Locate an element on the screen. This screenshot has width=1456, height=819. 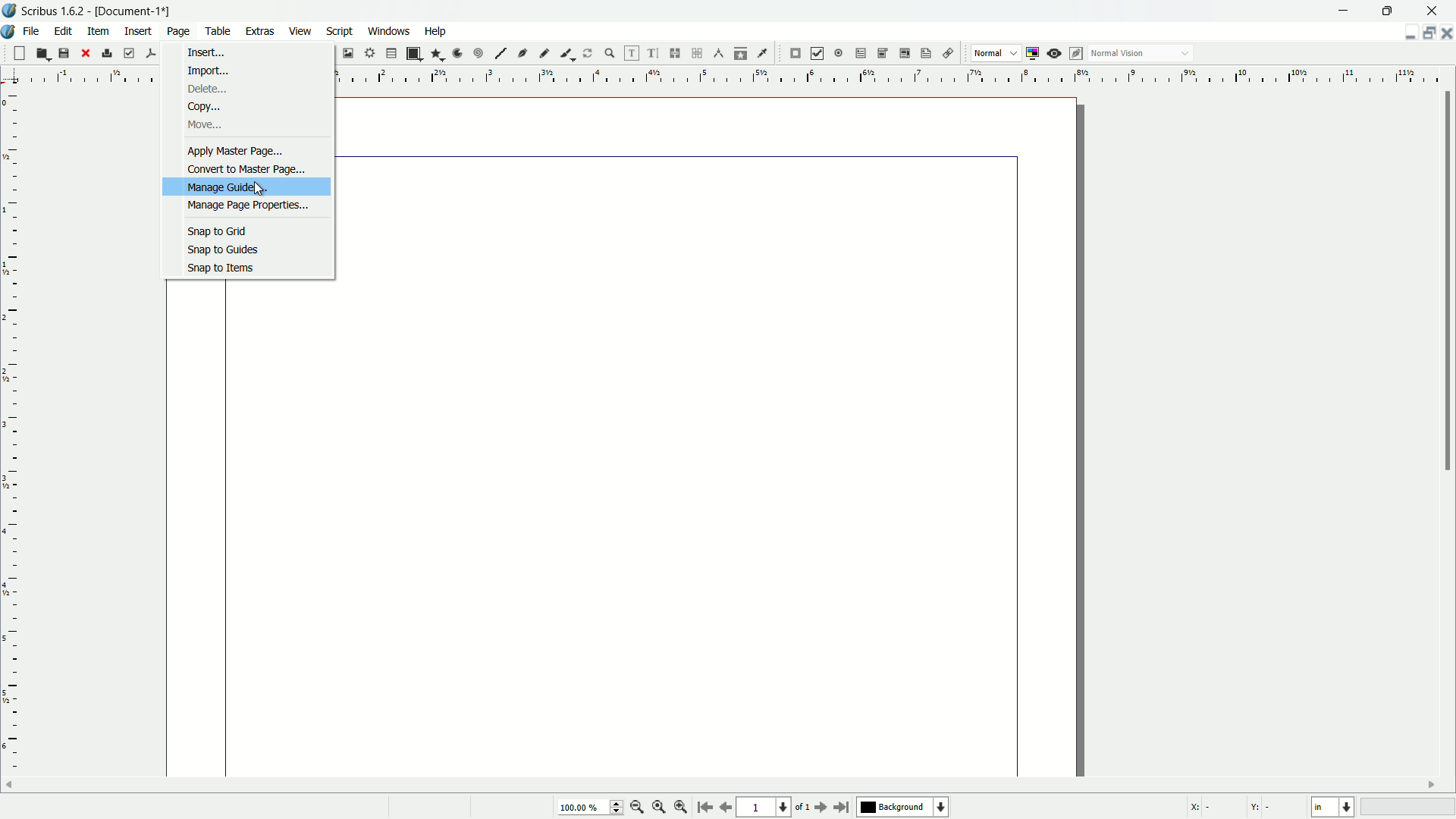
toggle color management system is located at coordinates (1034, 53).